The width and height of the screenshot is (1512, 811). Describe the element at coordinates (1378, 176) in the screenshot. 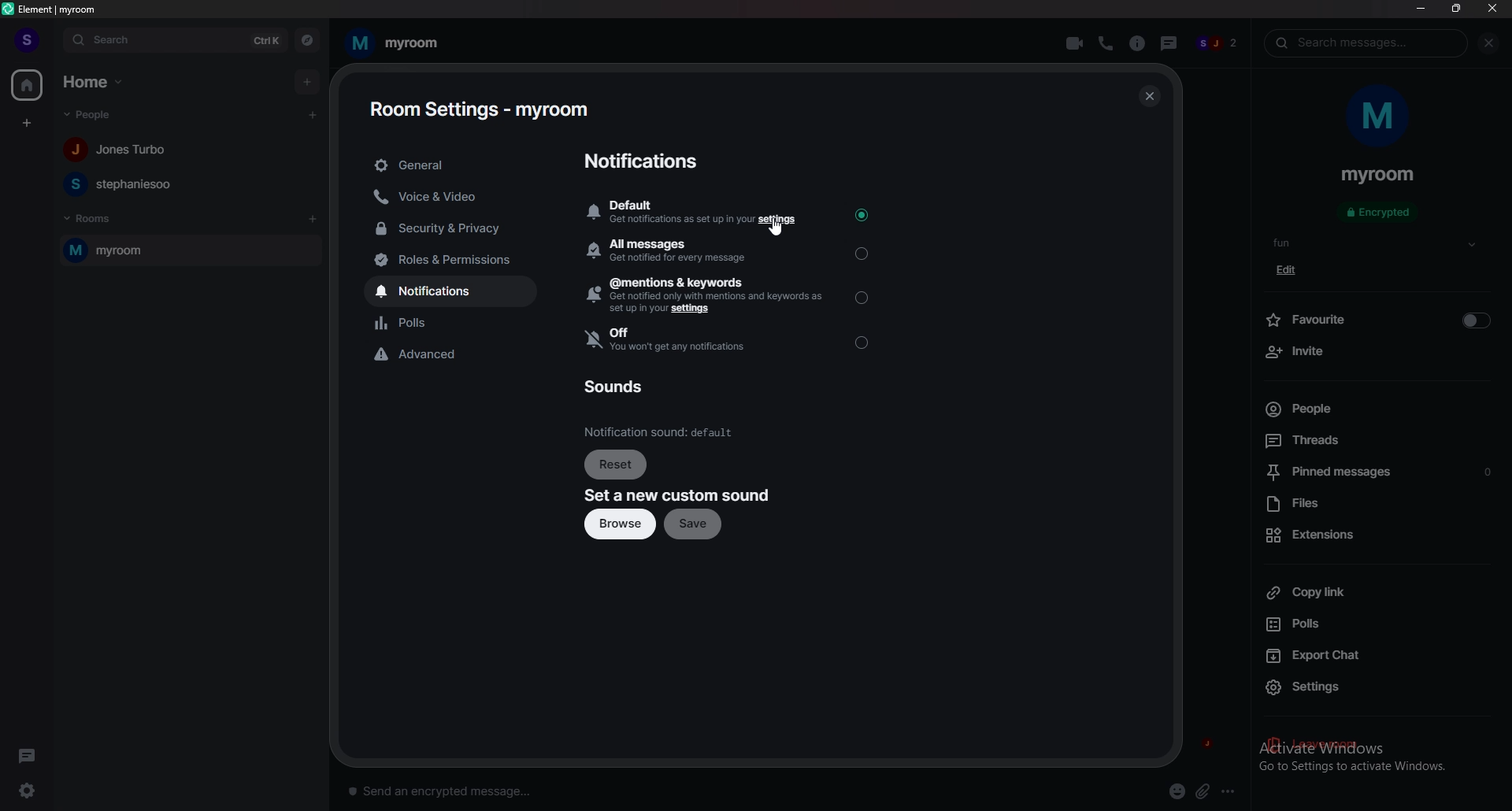

I see `room name` at that location.